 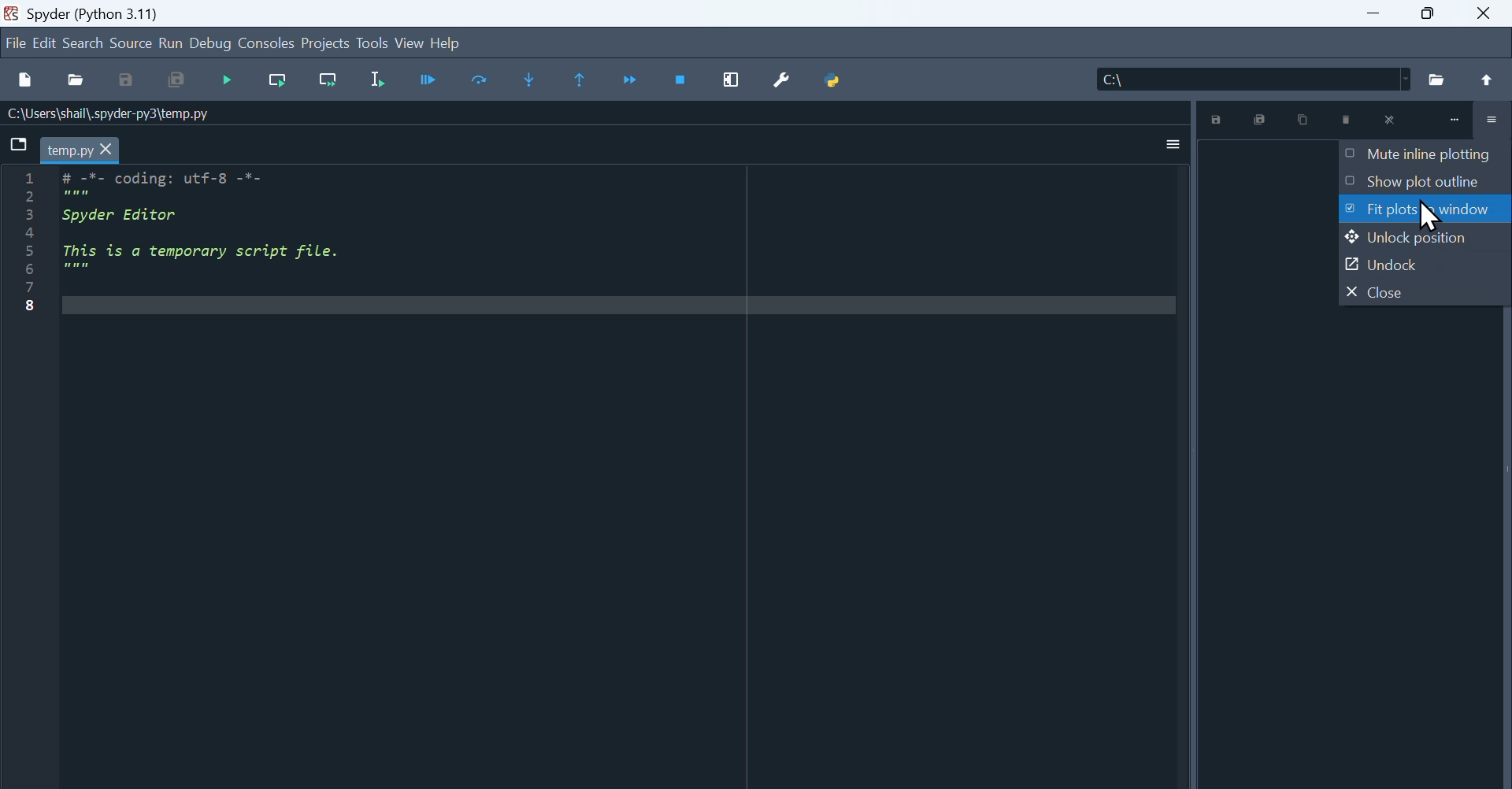 What do you see at coordinates (1172, 144) in the screenshot?
I see `More options` at bounding box center [1172, 144].